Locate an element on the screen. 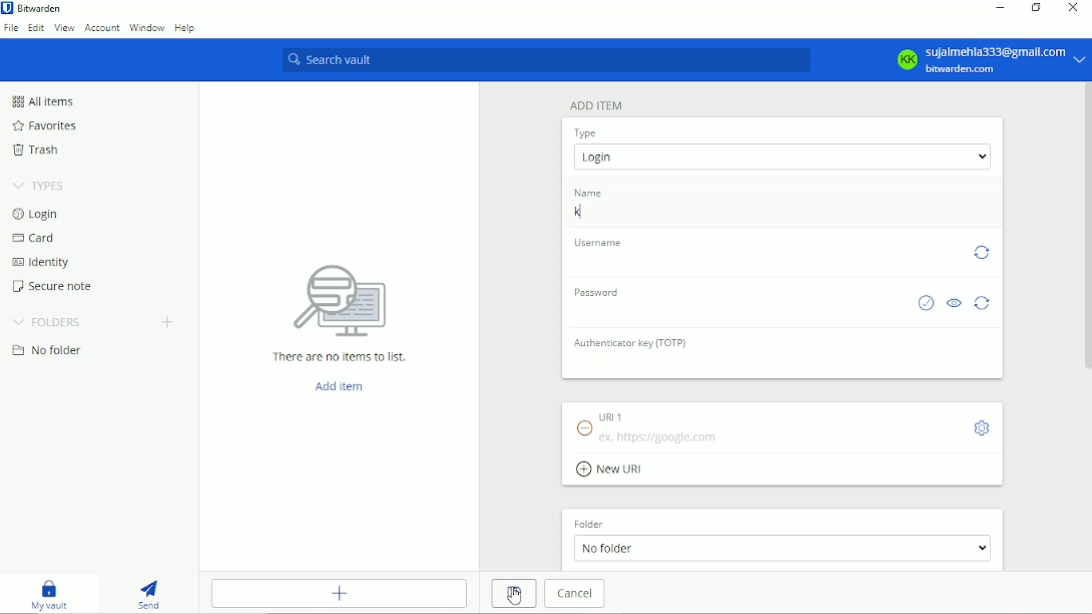 The image size is (1092, 614). Folder is located at coordinates (586, 524).